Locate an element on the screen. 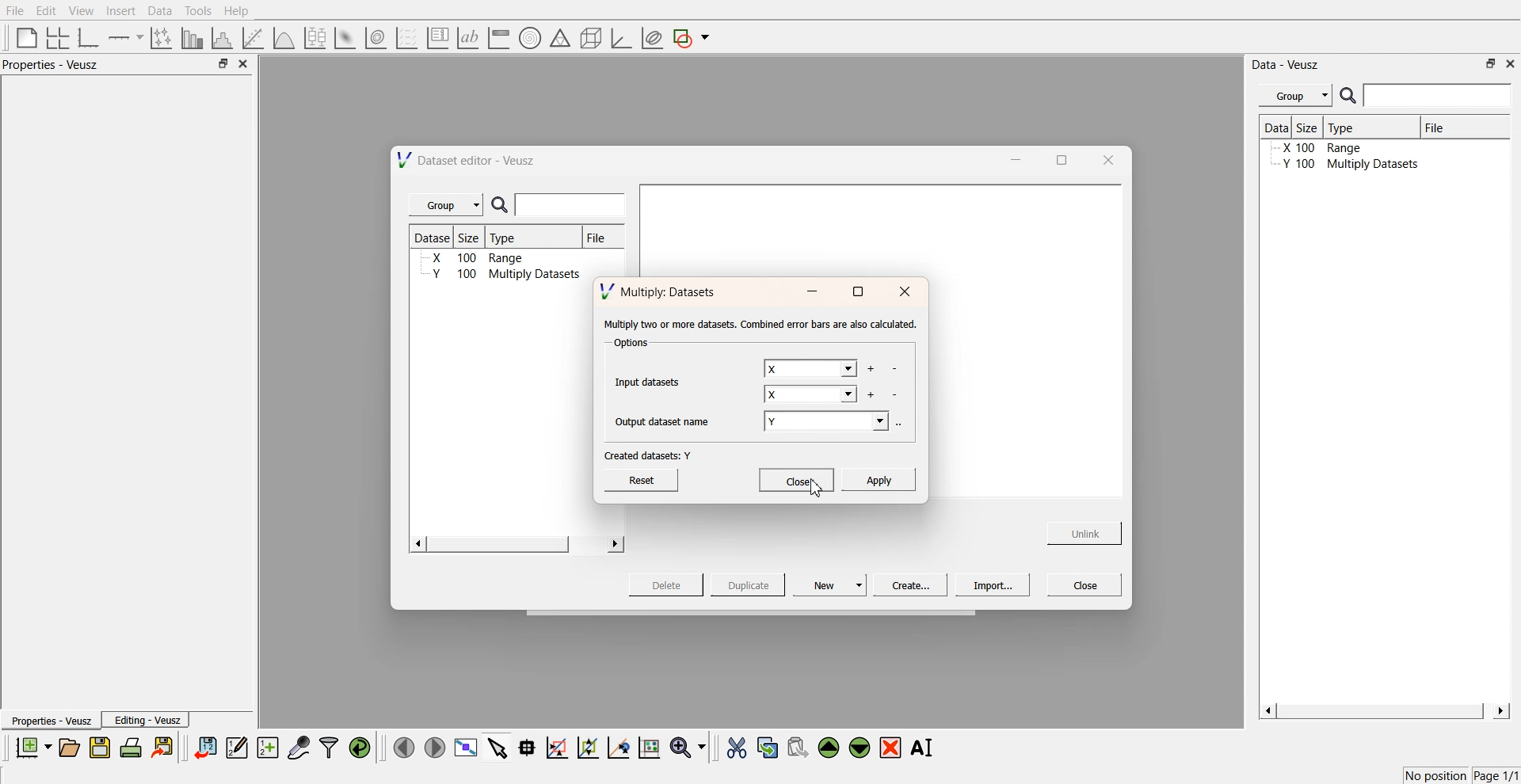 The width and height of the screenshot is (1521, 784). paste the selected widgets is located at coordinates (796, 747).